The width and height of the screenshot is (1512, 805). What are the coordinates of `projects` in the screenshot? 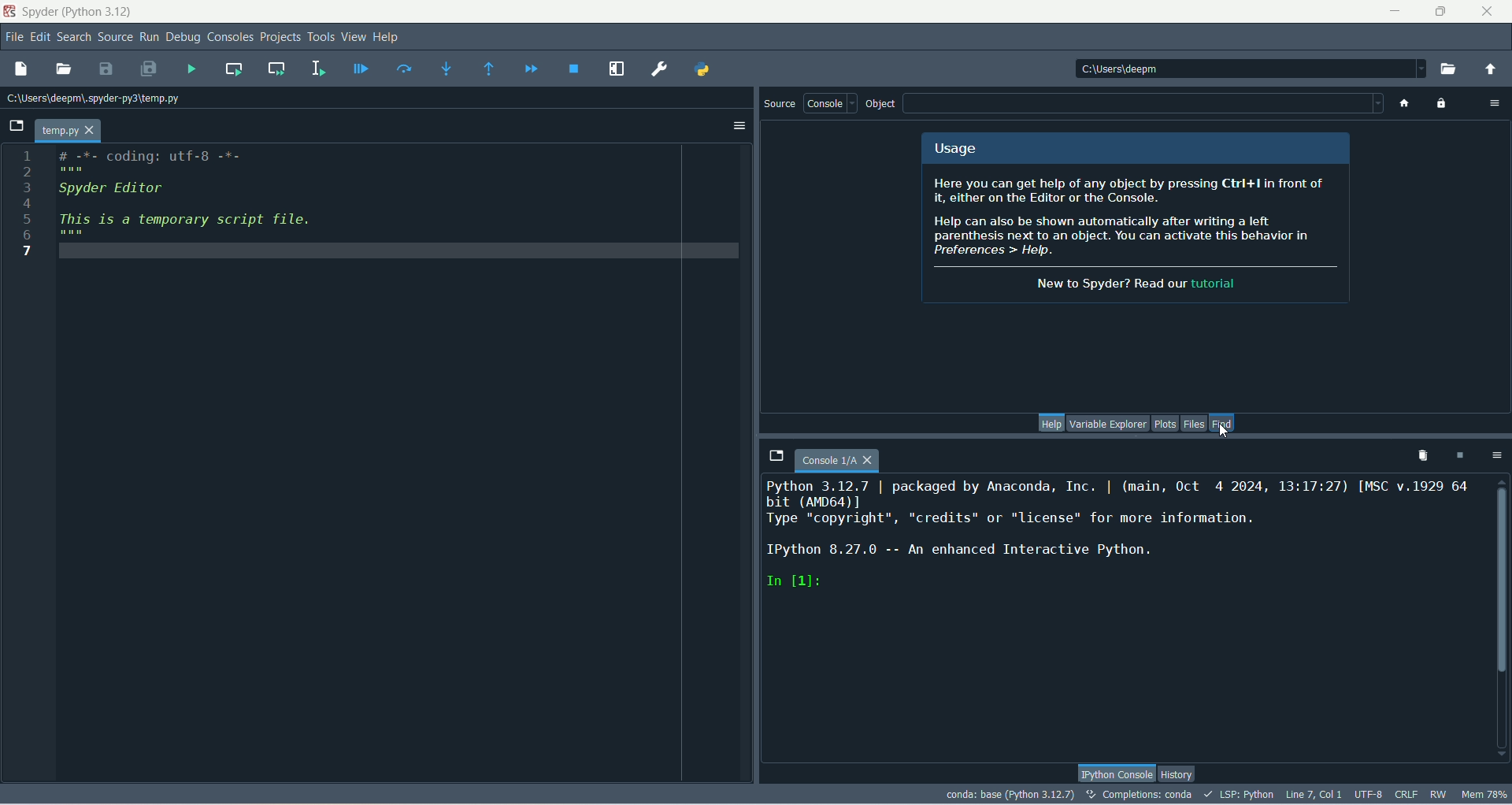 It's located at (280, 39).